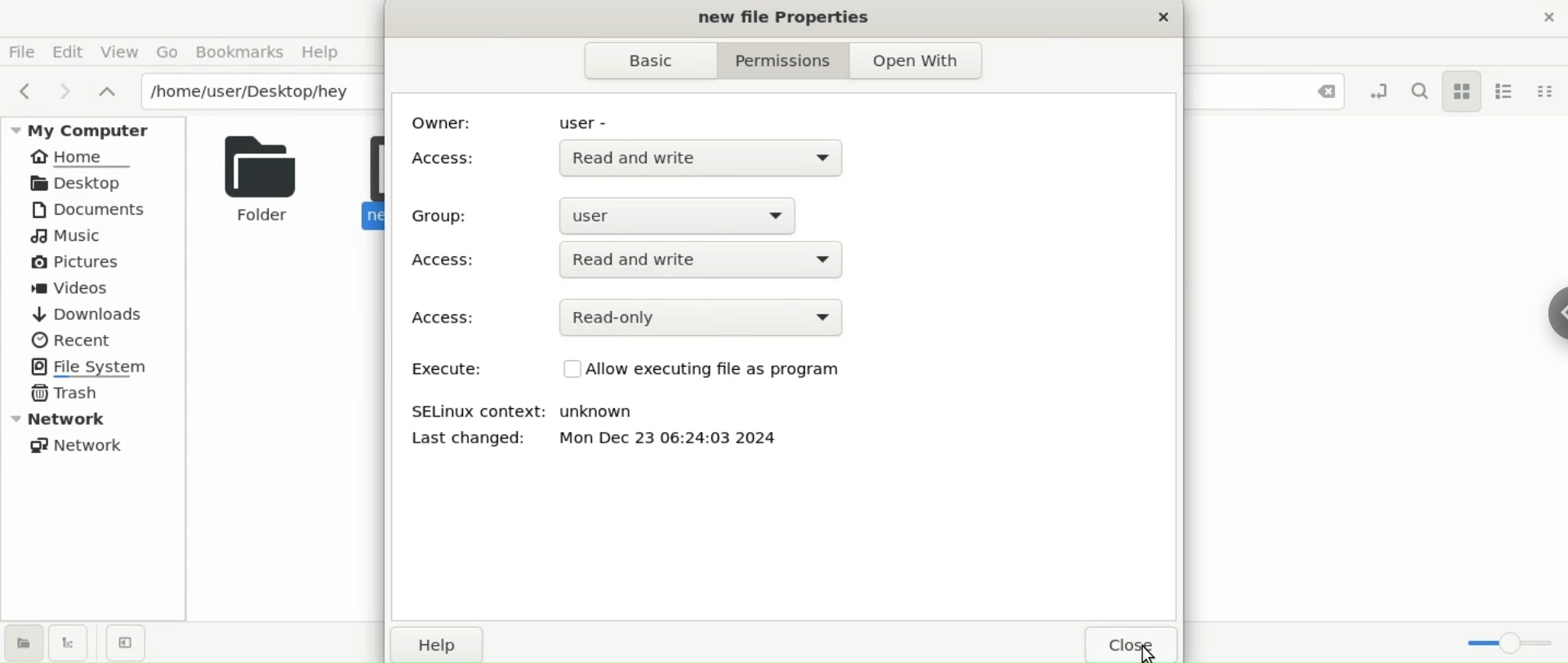 This screenshot has height=663, width=1568. Describe the element at coordinates (96, 366) in the screenshot. I see `File System` at that location.